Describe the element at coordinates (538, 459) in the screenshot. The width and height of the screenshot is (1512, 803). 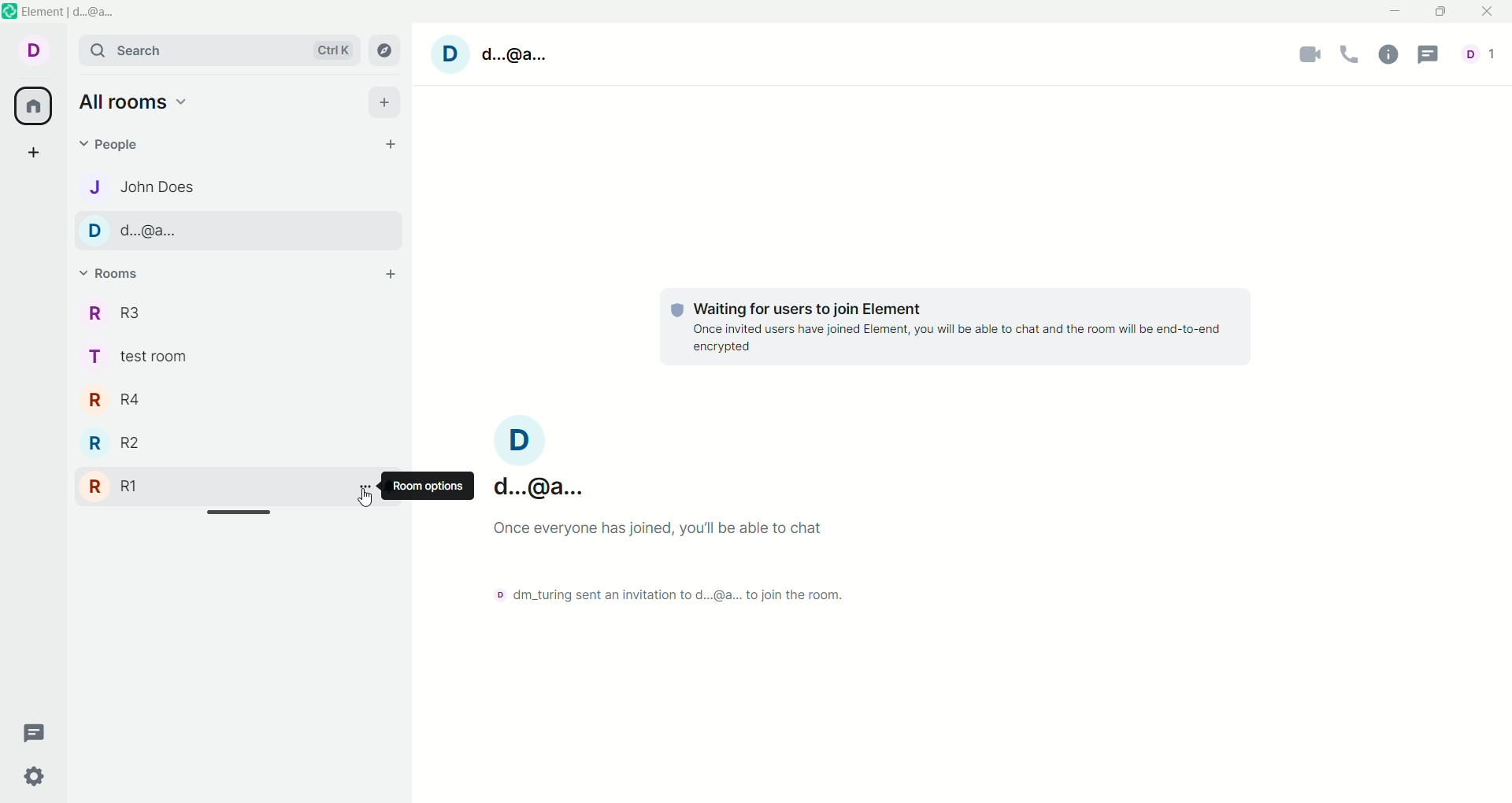
I see `D
d..@a...` at that location.